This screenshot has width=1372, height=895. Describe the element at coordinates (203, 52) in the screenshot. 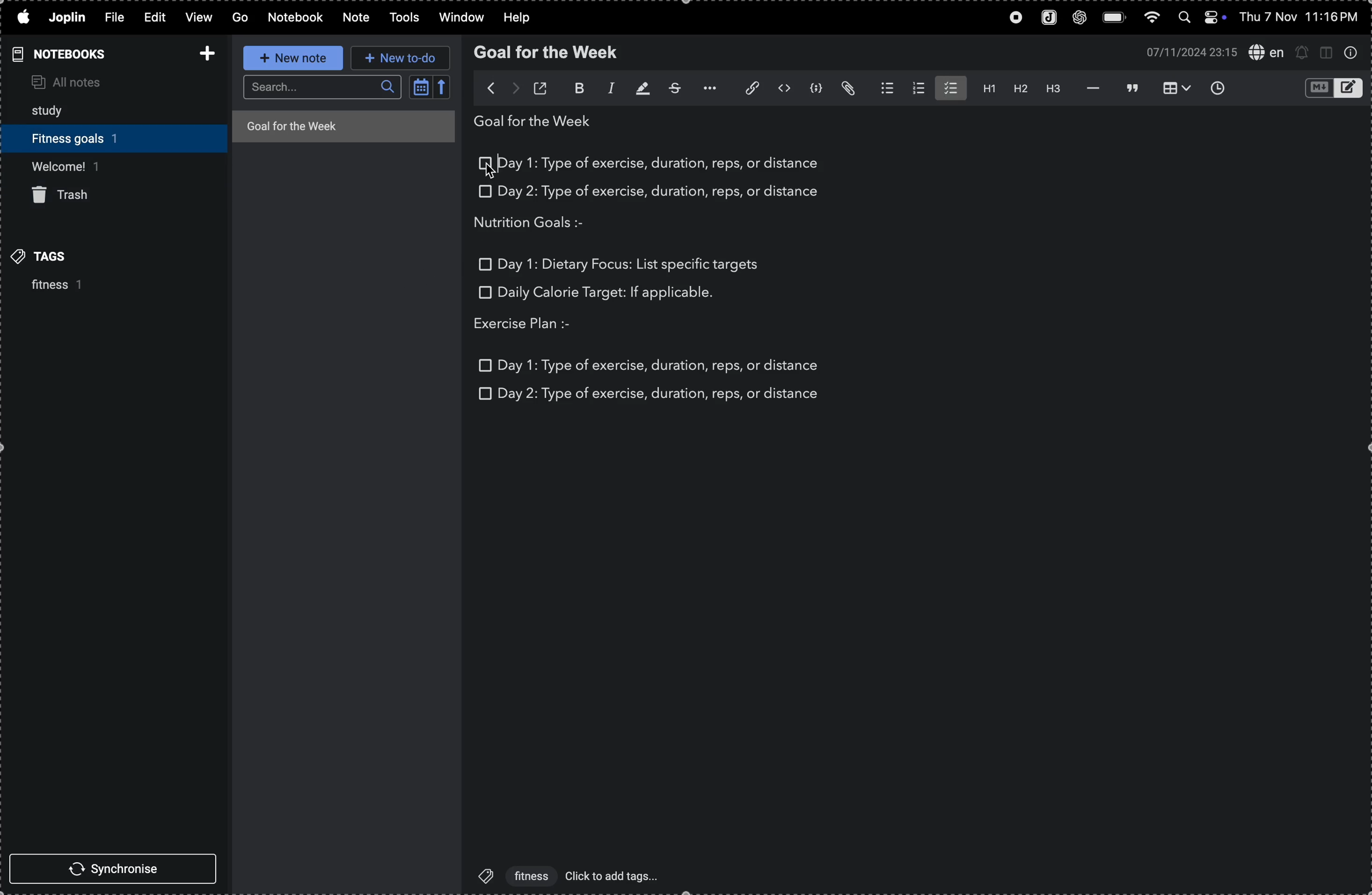

I see `add notebook` at that location.